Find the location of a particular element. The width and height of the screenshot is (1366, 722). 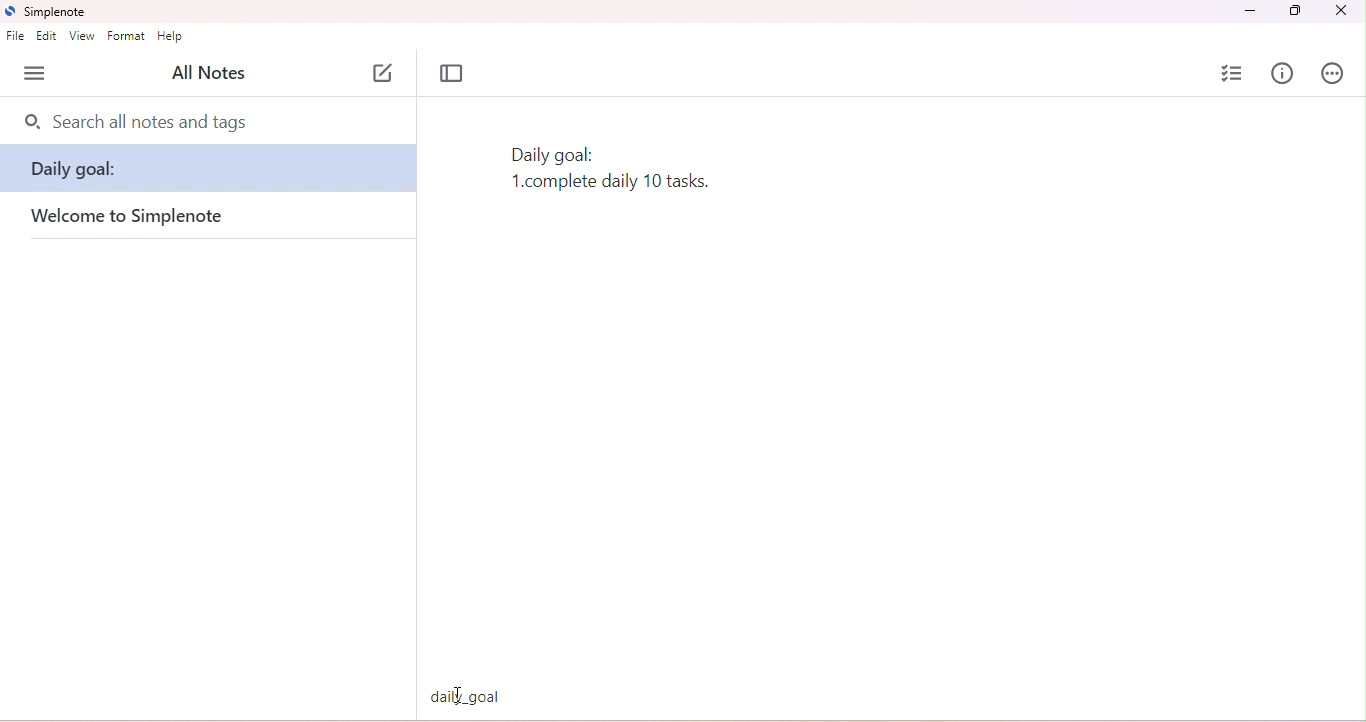

close is located at coordinates (1340, 11).